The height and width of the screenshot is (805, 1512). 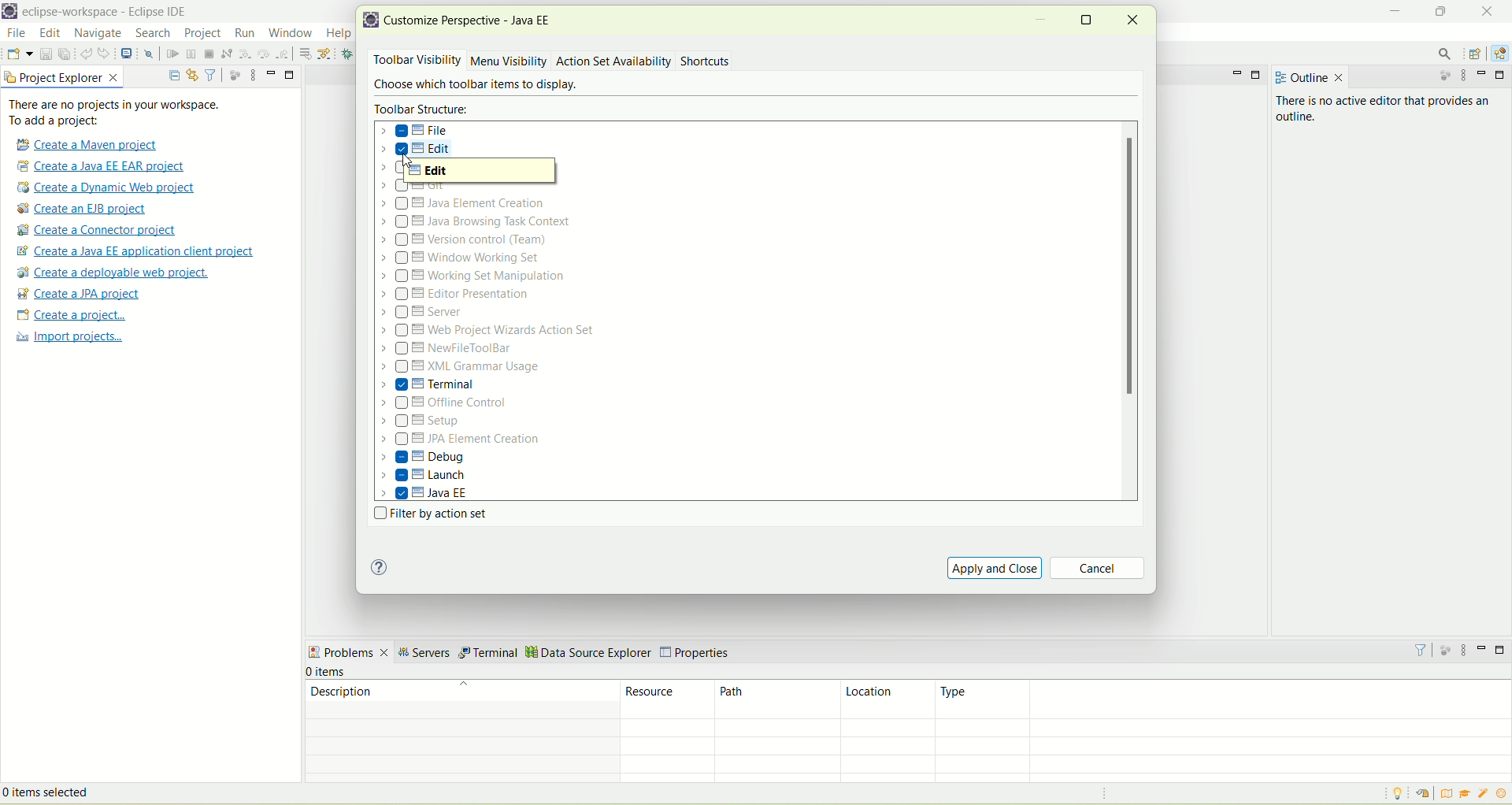 I want to click on open a terminal, so click(x=126, y=54).